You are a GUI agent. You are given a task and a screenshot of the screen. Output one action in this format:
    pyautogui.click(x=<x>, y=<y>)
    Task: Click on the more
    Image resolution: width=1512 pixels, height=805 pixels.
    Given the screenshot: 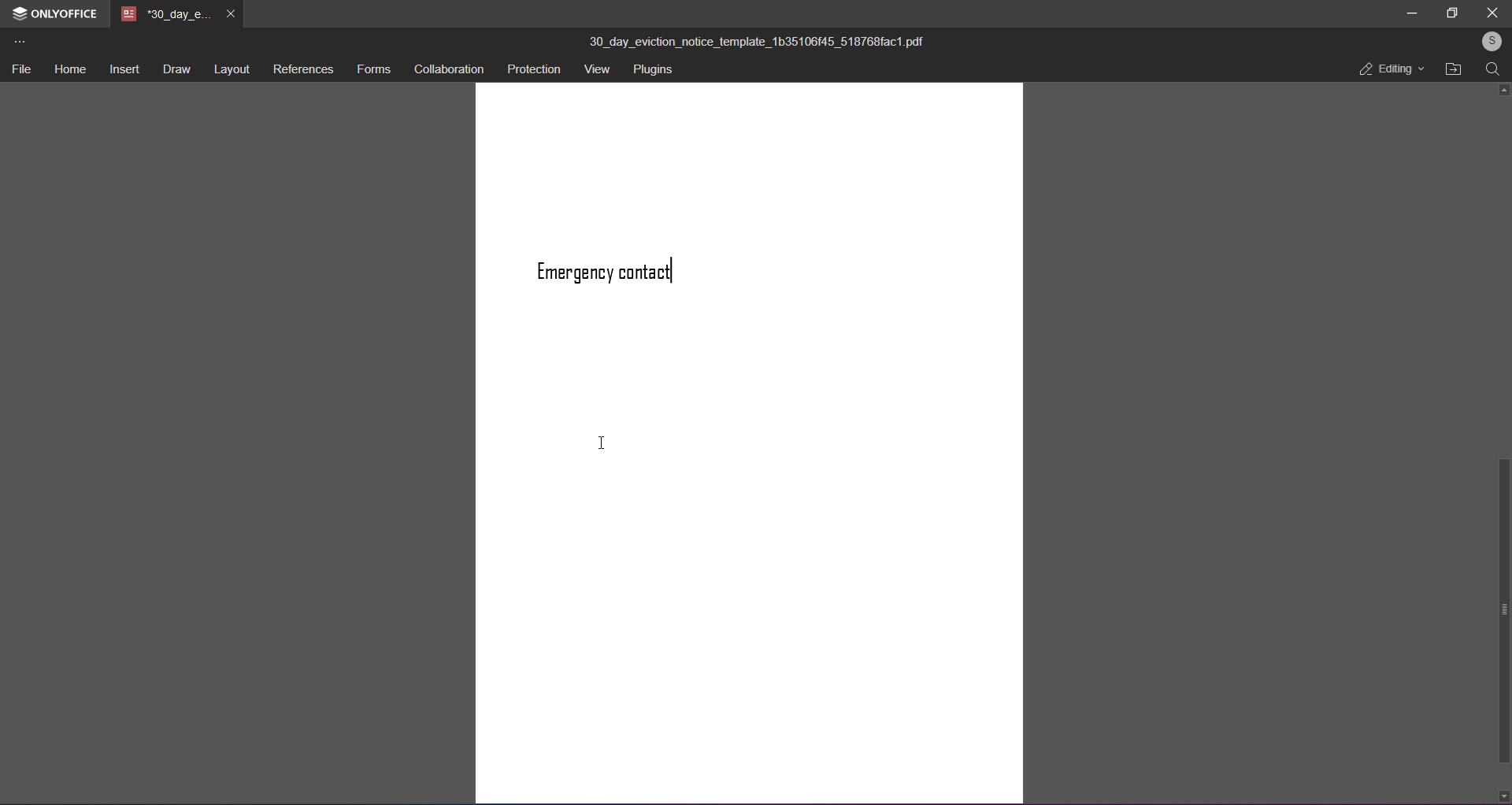 What is the action you would take?
    pyautogui.click(x=18, y=43)
    